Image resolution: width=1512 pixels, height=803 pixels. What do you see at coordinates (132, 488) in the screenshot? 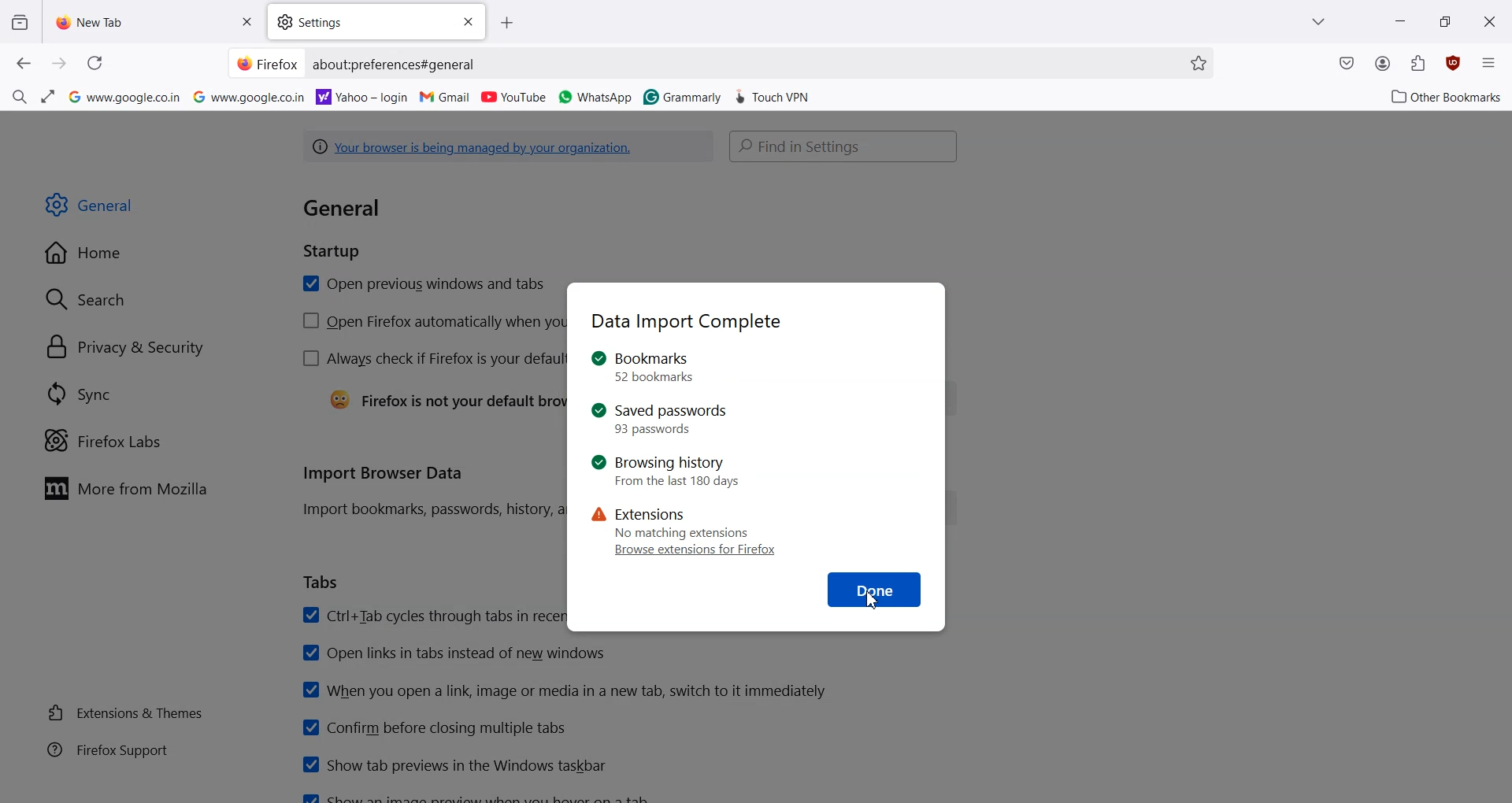
I see `More from Mozilla` at bounding box center [132, 488].